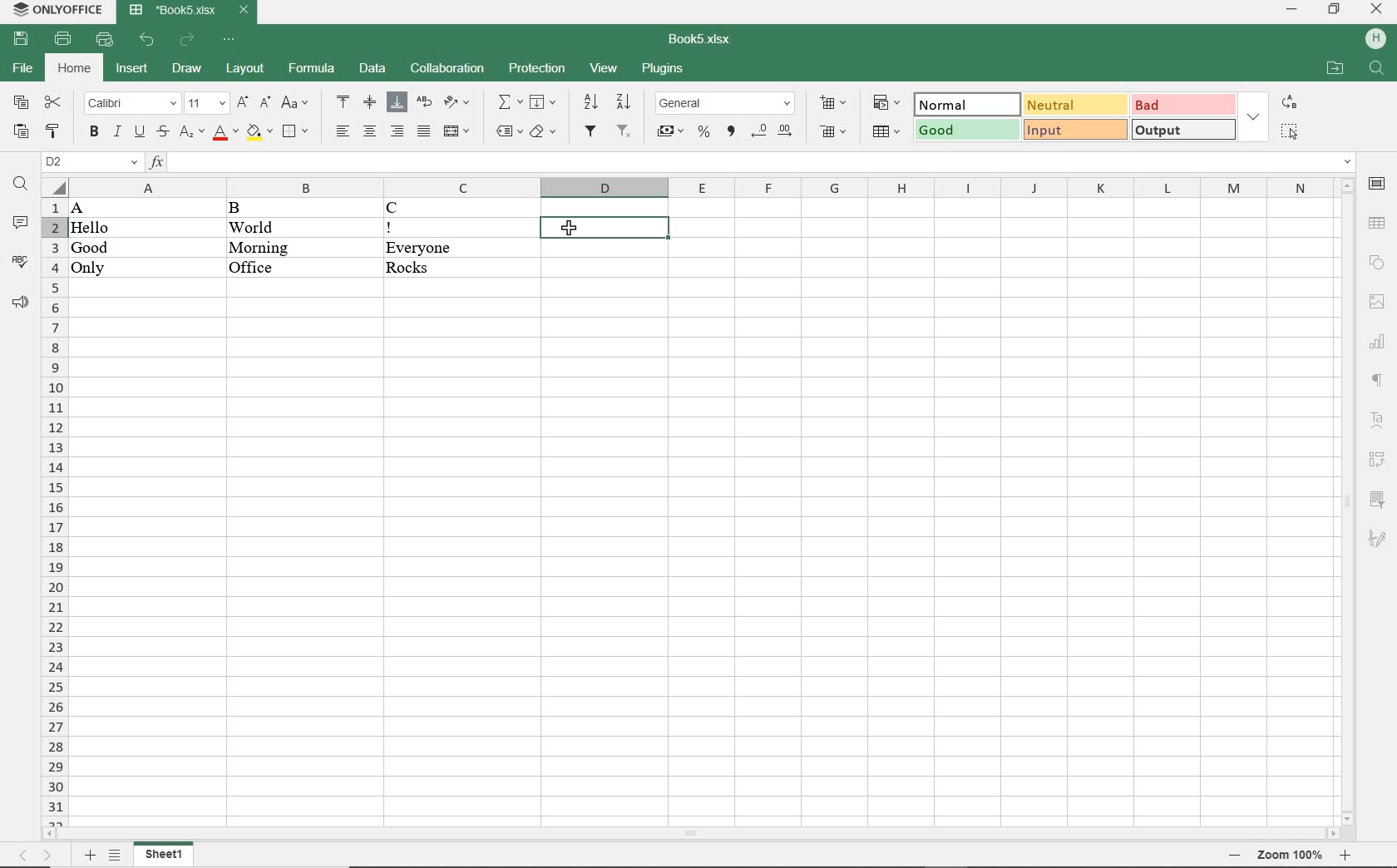  Describe the element at coordinates (370, 69) in the screenshot. I see `DATA` at that location.